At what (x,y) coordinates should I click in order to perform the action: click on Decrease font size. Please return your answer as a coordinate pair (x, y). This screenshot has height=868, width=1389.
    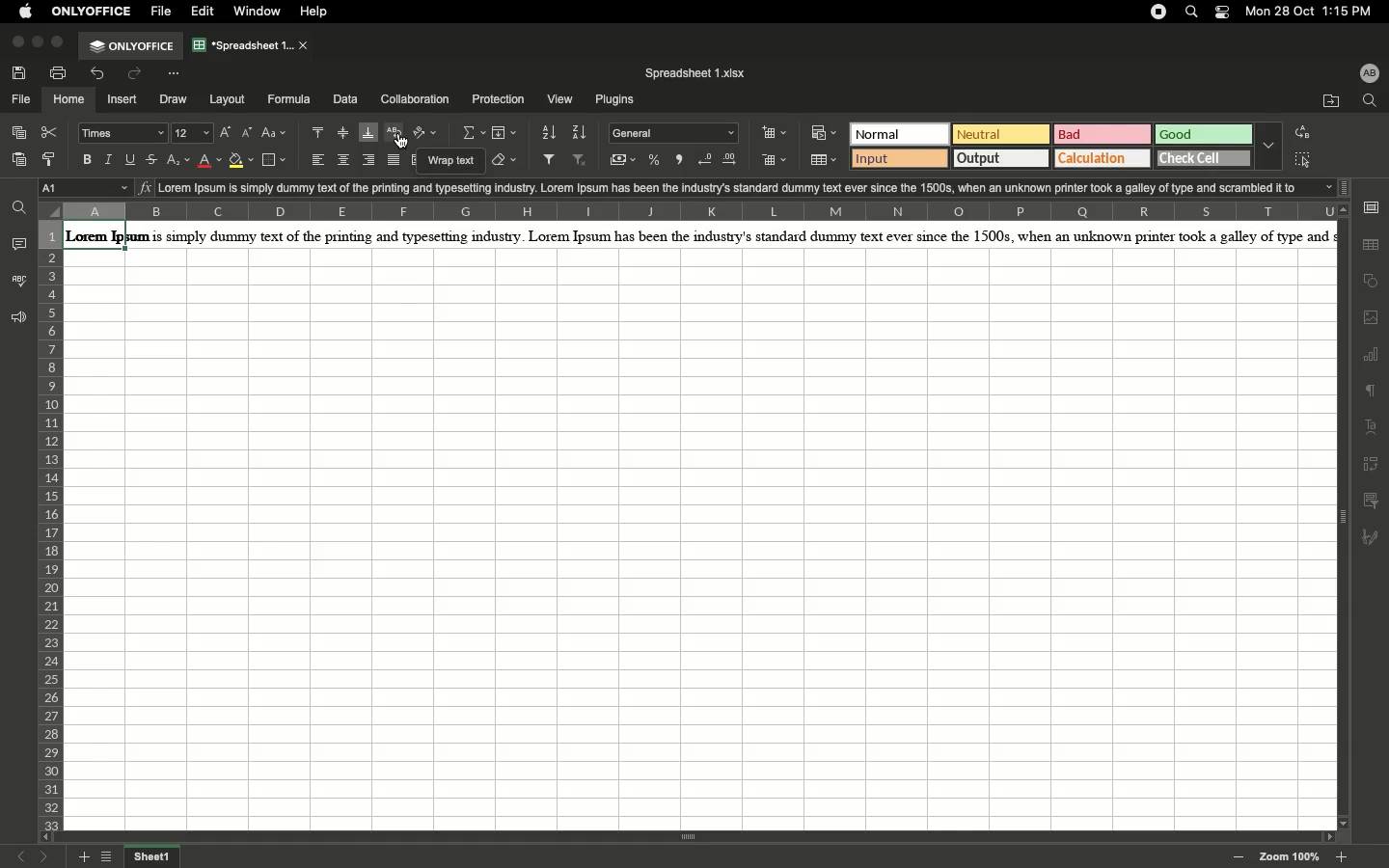
    Looking at the image, I should click on (248, 134).